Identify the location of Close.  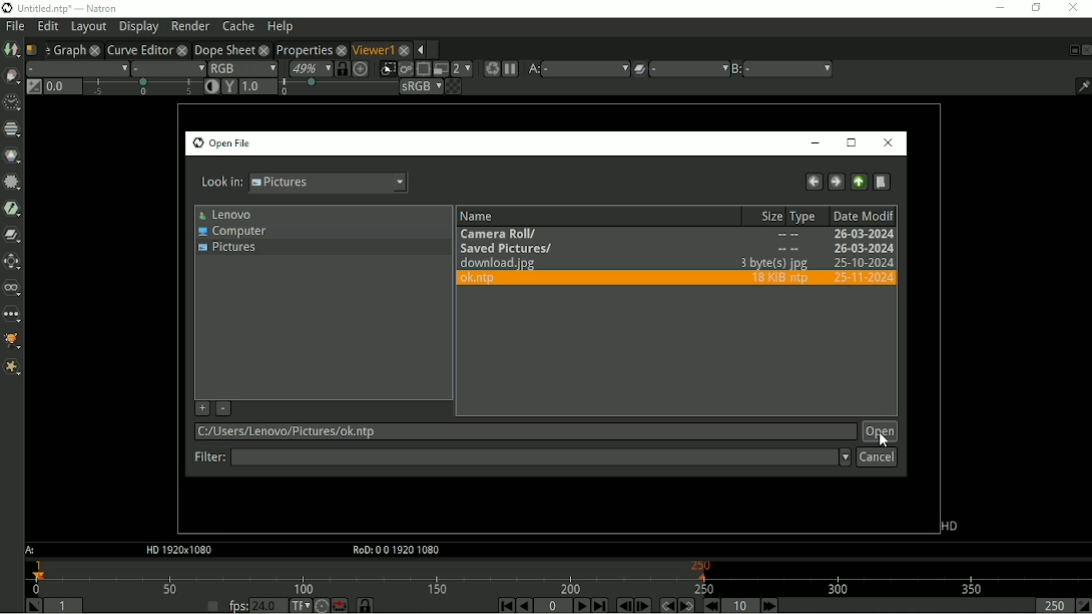
(887, 143).